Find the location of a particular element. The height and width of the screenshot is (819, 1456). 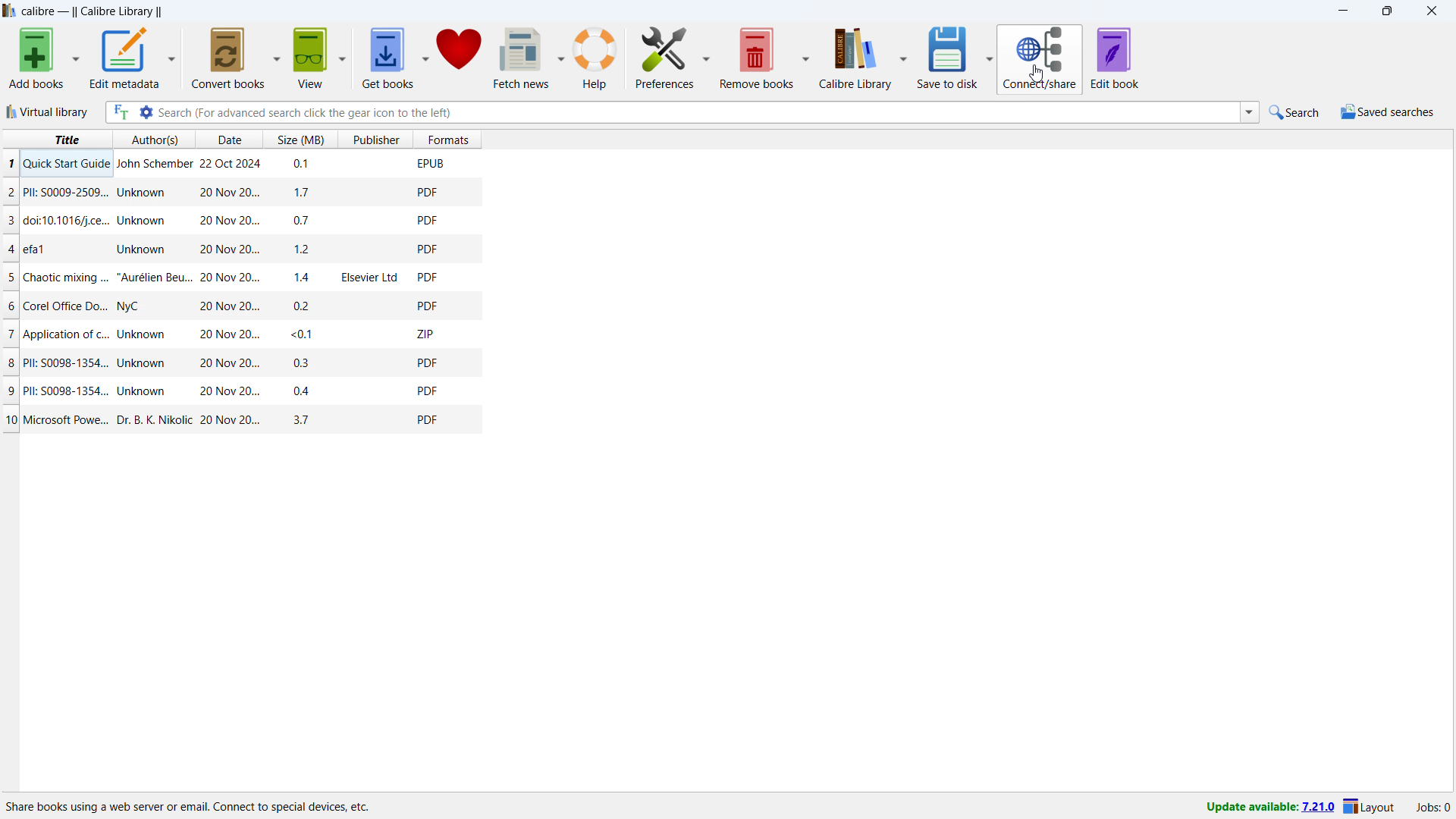

one book entry is located at coordinates (236, 250).